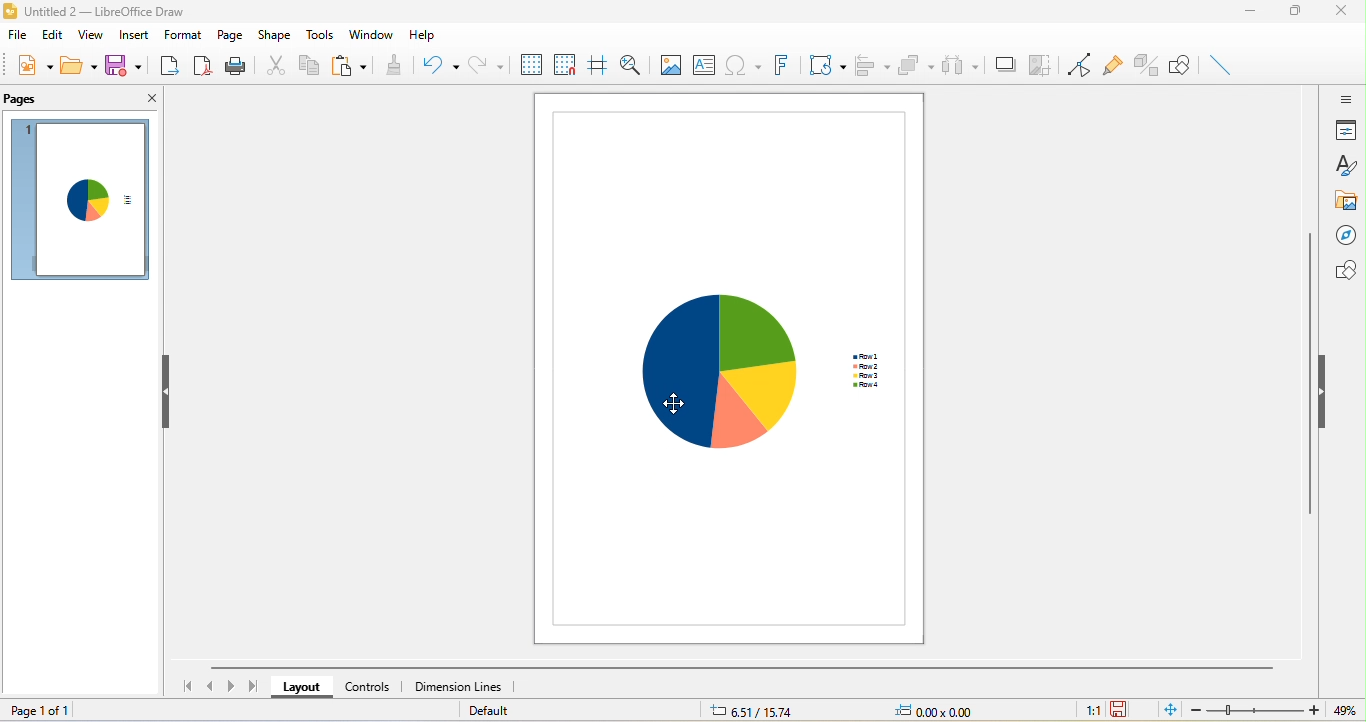 The width and height of the screenshot is (1366, 722). Describe the element at coordinates (253, 685) in the screenshot. I see `last` at that location.